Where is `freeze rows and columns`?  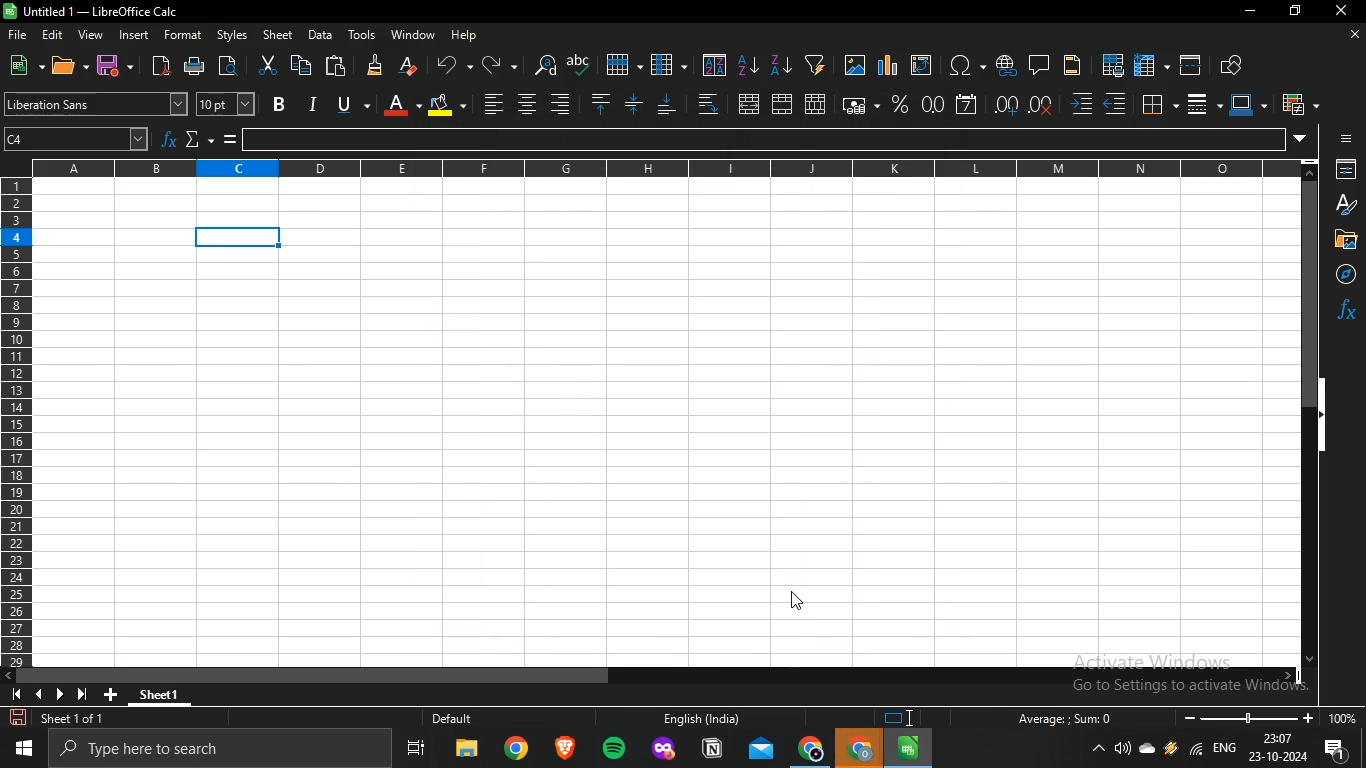 freeze rows and columns is located at coordinates (1146, 64).